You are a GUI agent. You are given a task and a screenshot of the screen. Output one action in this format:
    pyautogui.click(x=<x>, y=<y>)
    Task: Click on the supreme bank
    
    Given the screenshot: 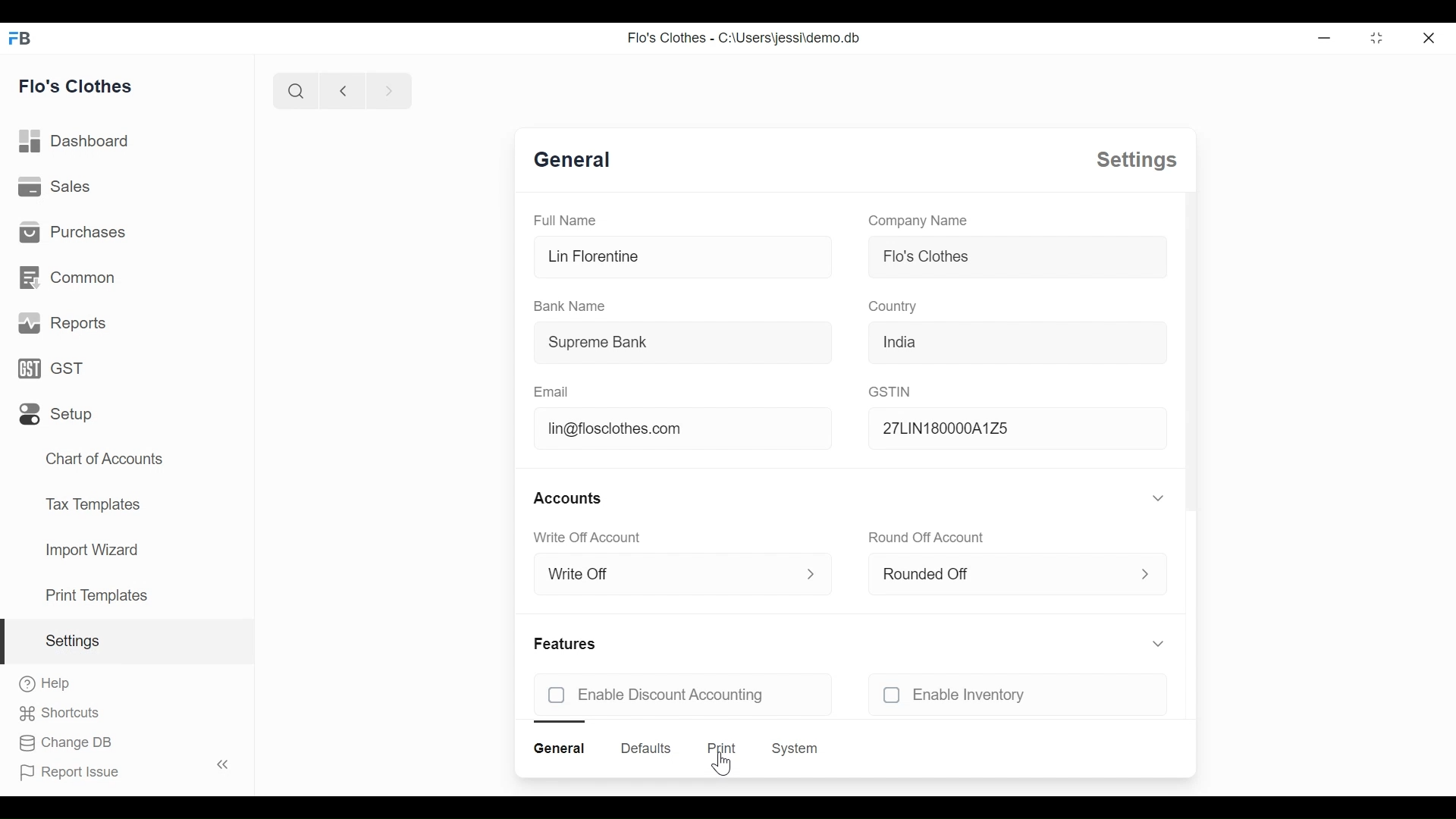 What is the action you would take?
    pyautogui.click(x=682, y=342)
    